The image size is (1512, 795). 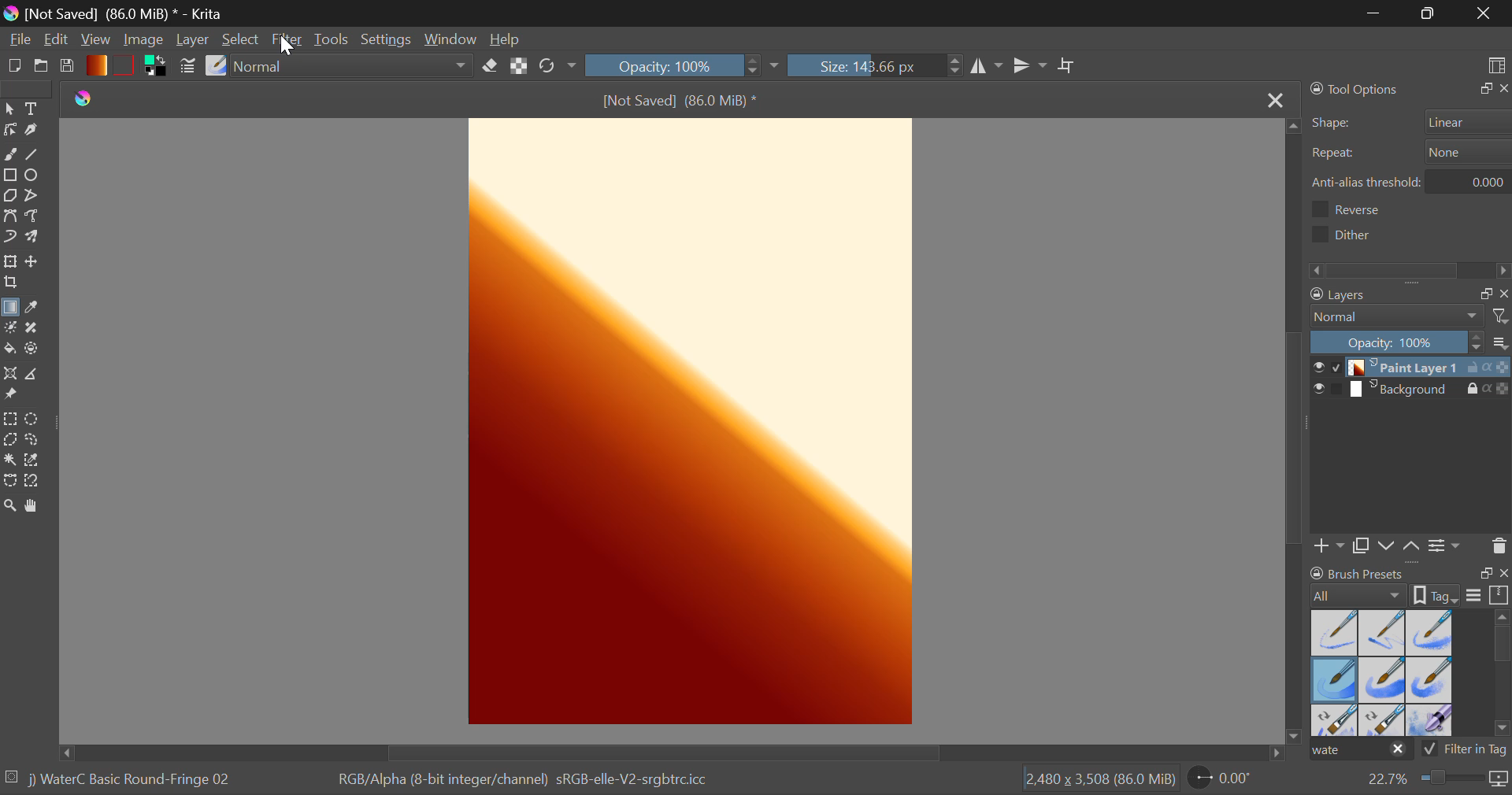 I want to click on Polyline, so click(x=34, y=196).